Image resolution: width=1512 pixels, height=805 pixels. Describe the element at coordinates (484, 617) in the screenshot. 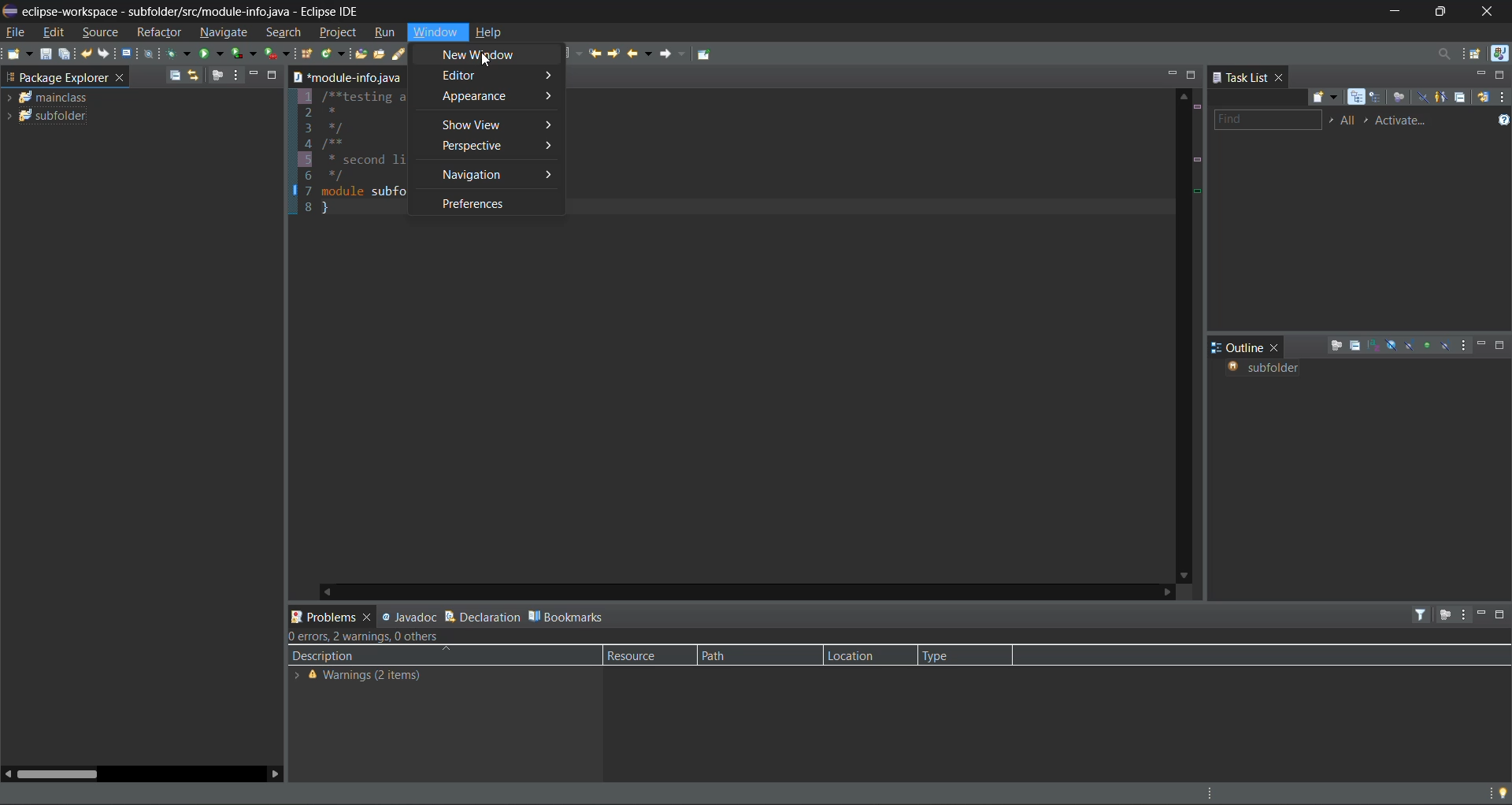

I see `declaration` at that location.